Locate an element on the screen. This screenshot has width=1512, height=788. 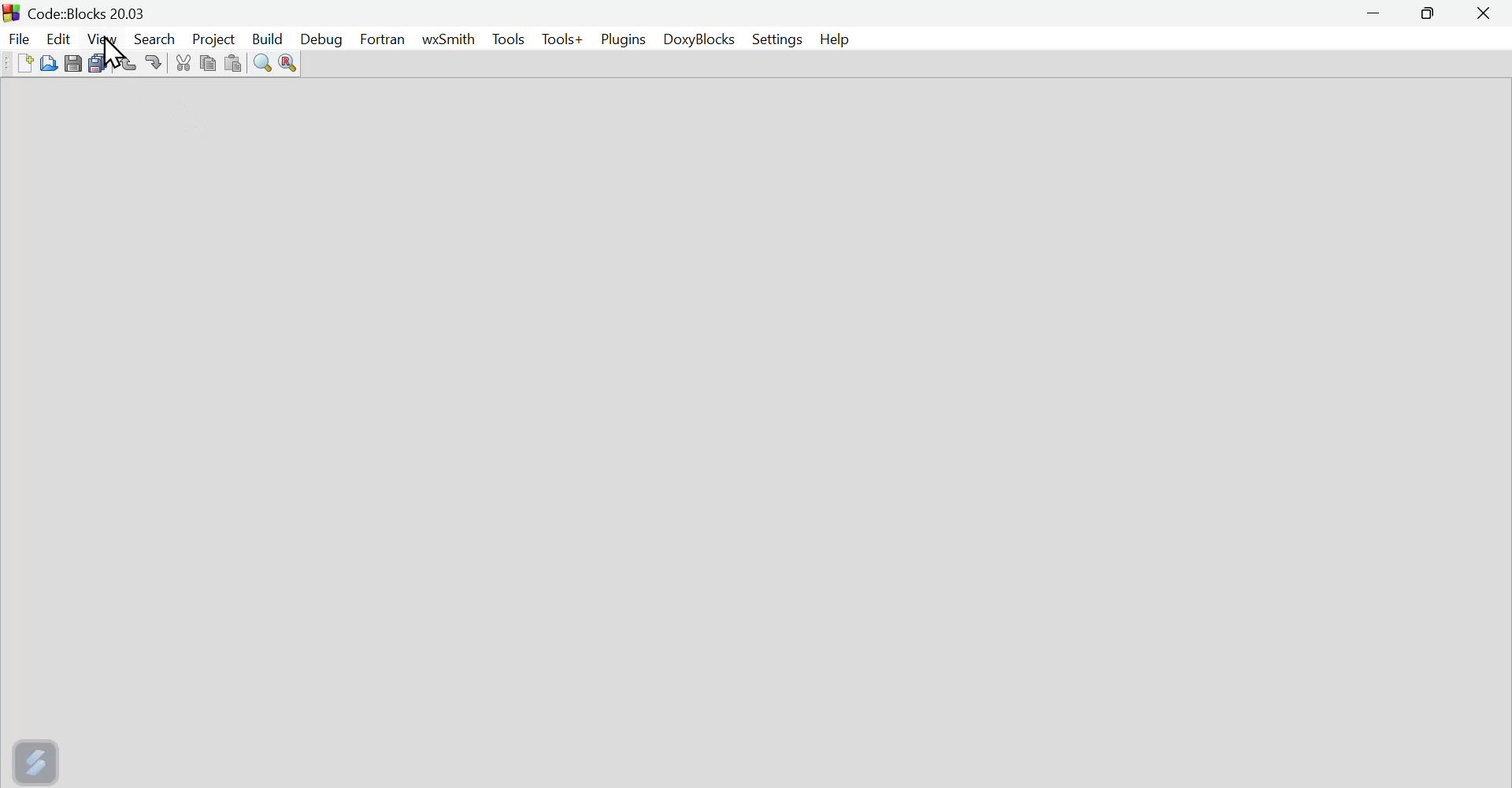
Save multiple is located at coordinates (98, 61).